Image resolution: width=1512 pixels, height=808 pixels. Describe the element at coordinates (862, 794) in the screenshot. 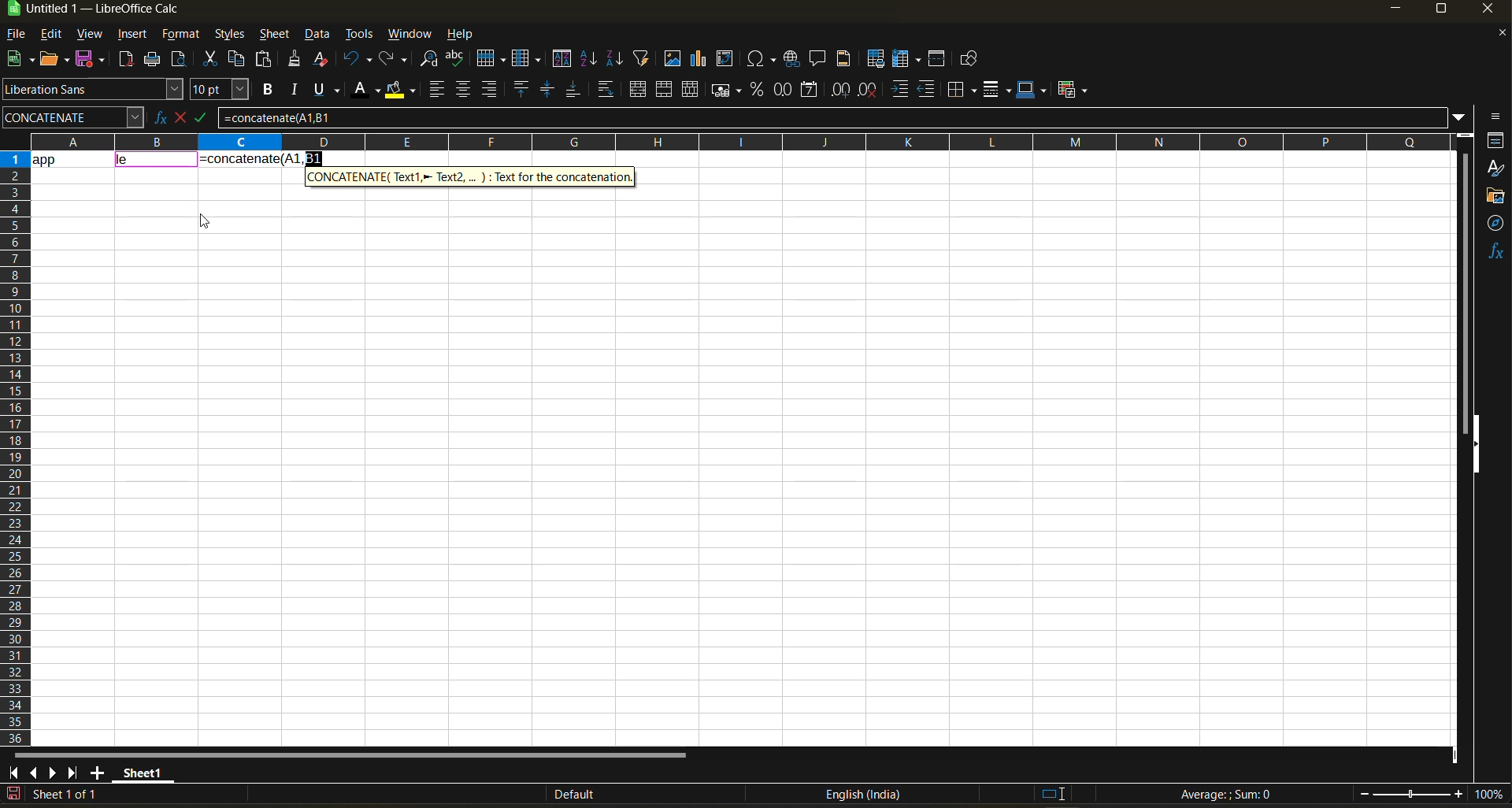

I see `text language` at that location.